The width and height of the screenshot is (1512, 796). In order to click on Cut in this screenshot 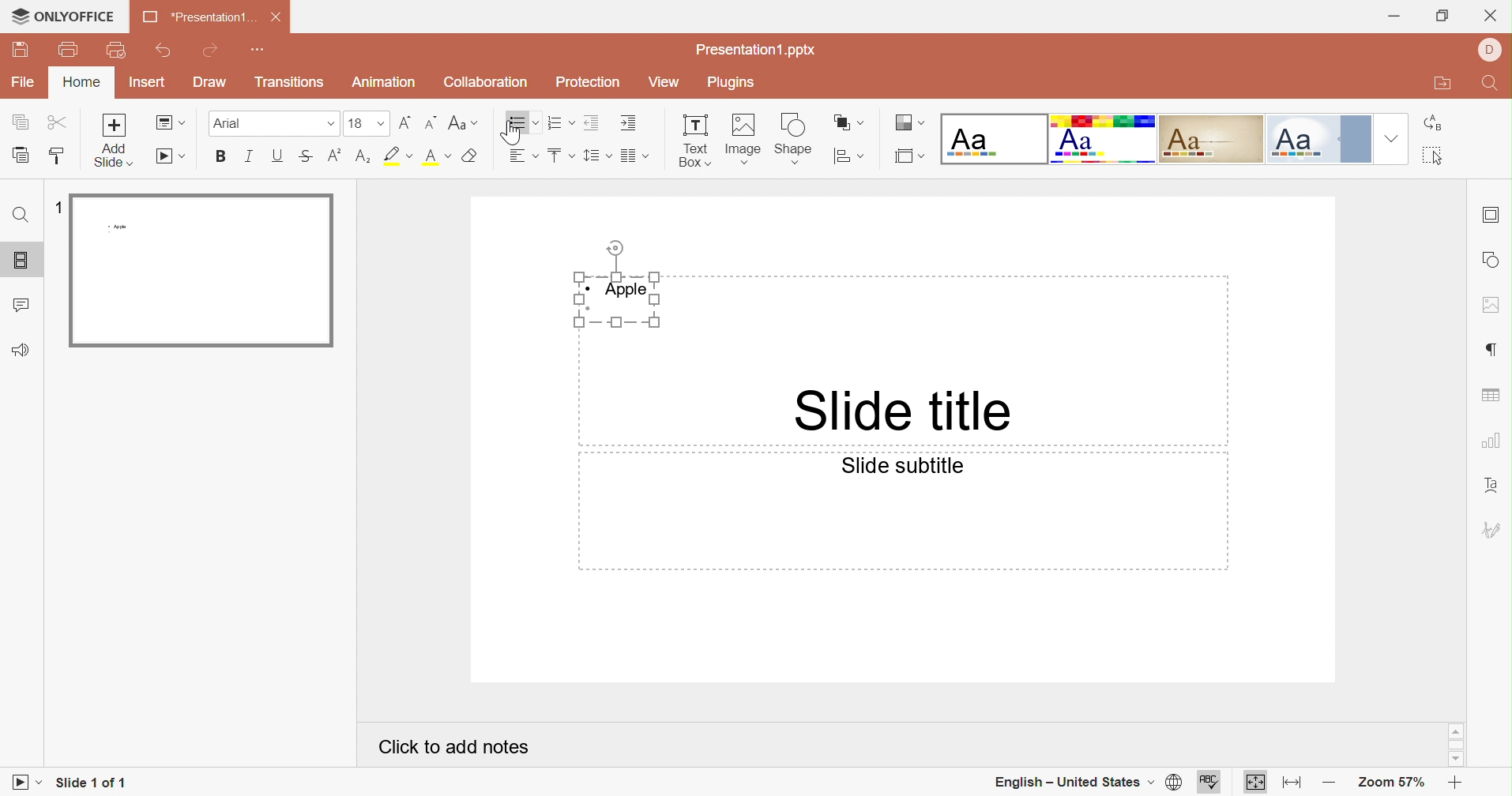, I will do `click(59, 123)`.